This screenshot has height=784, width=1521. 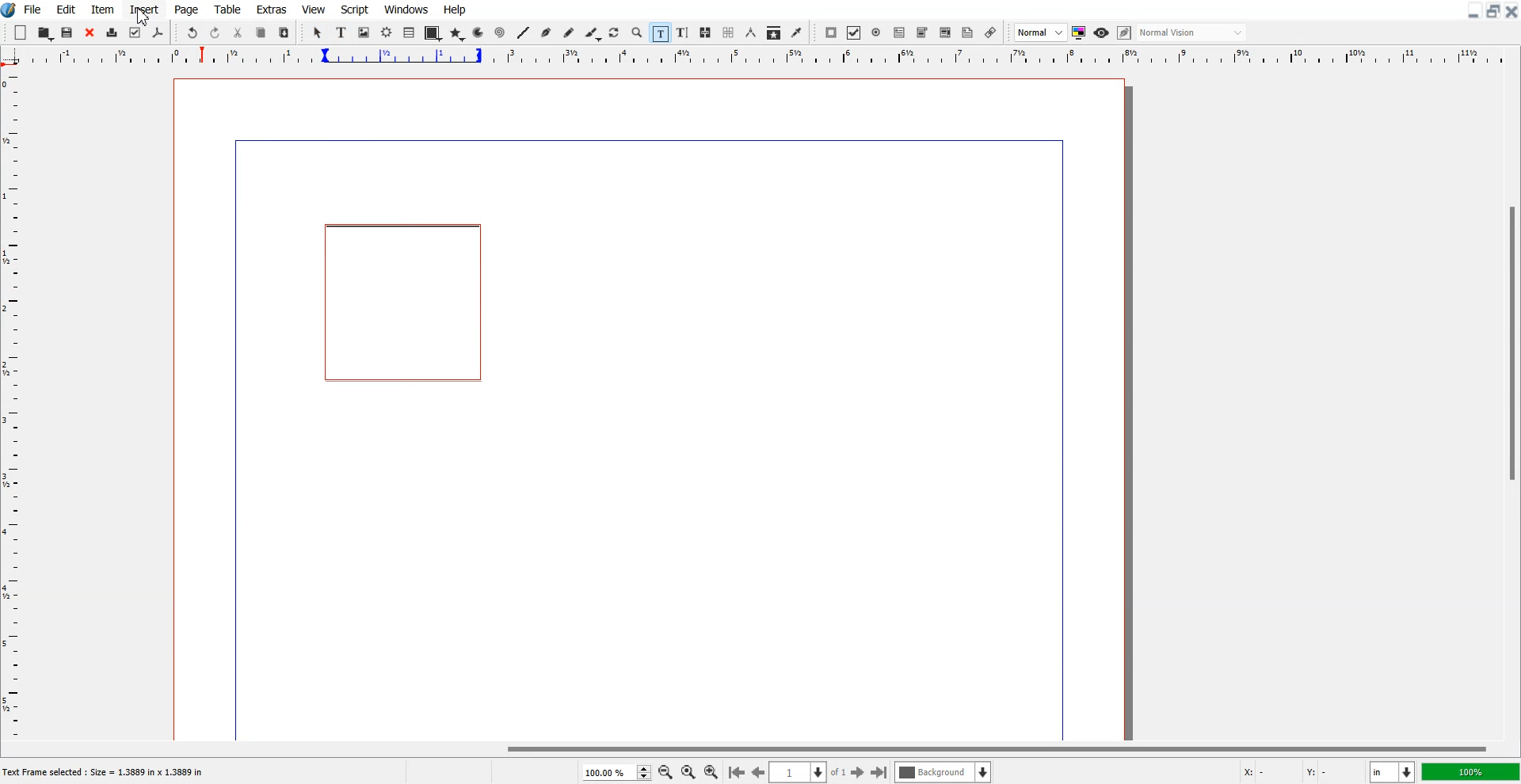 I want to click on Extras, so click(x=272, y=9).